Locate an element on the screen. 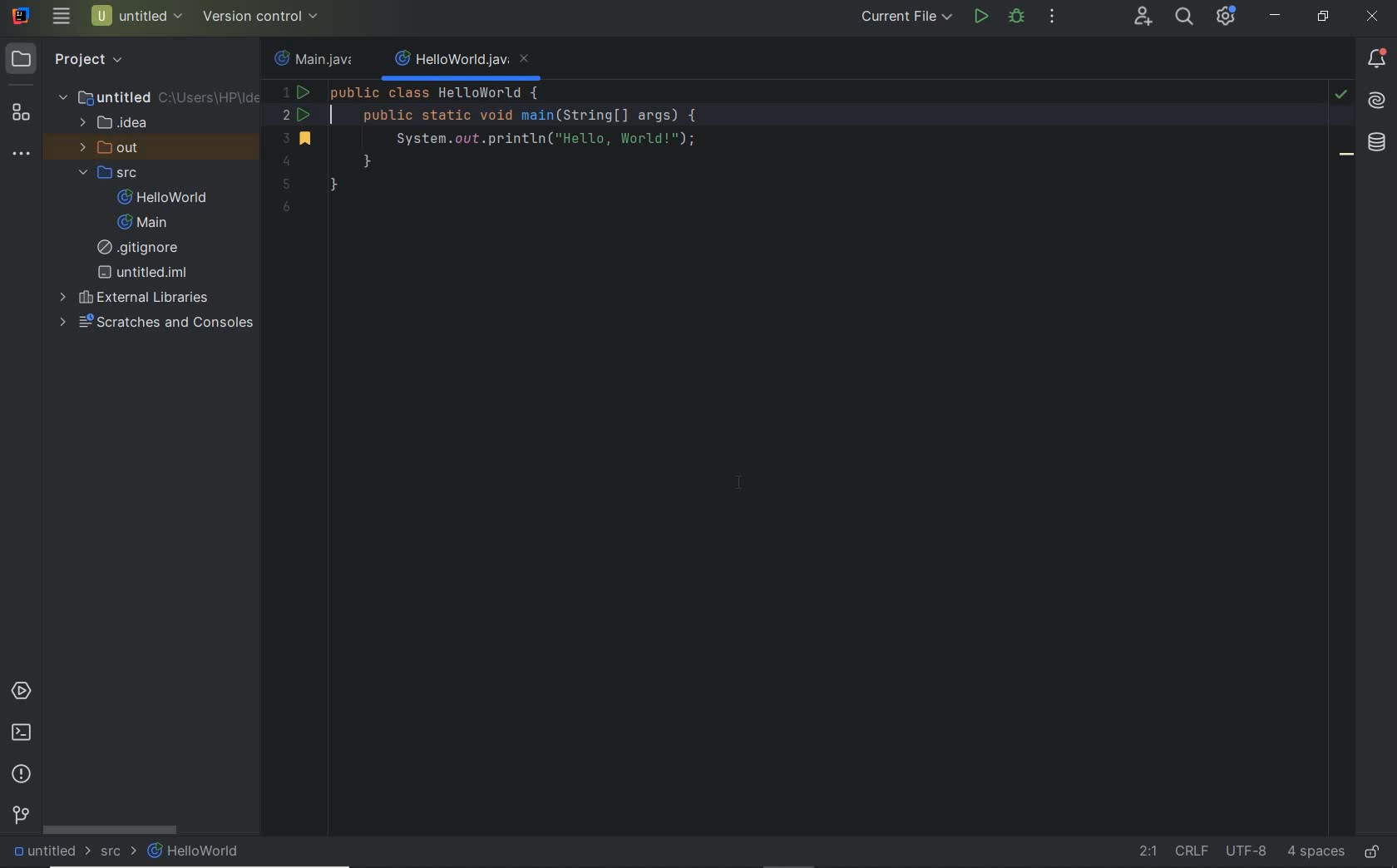 This screenshot has height=868, width=1397. untitled is located at coordinates (157, 96).